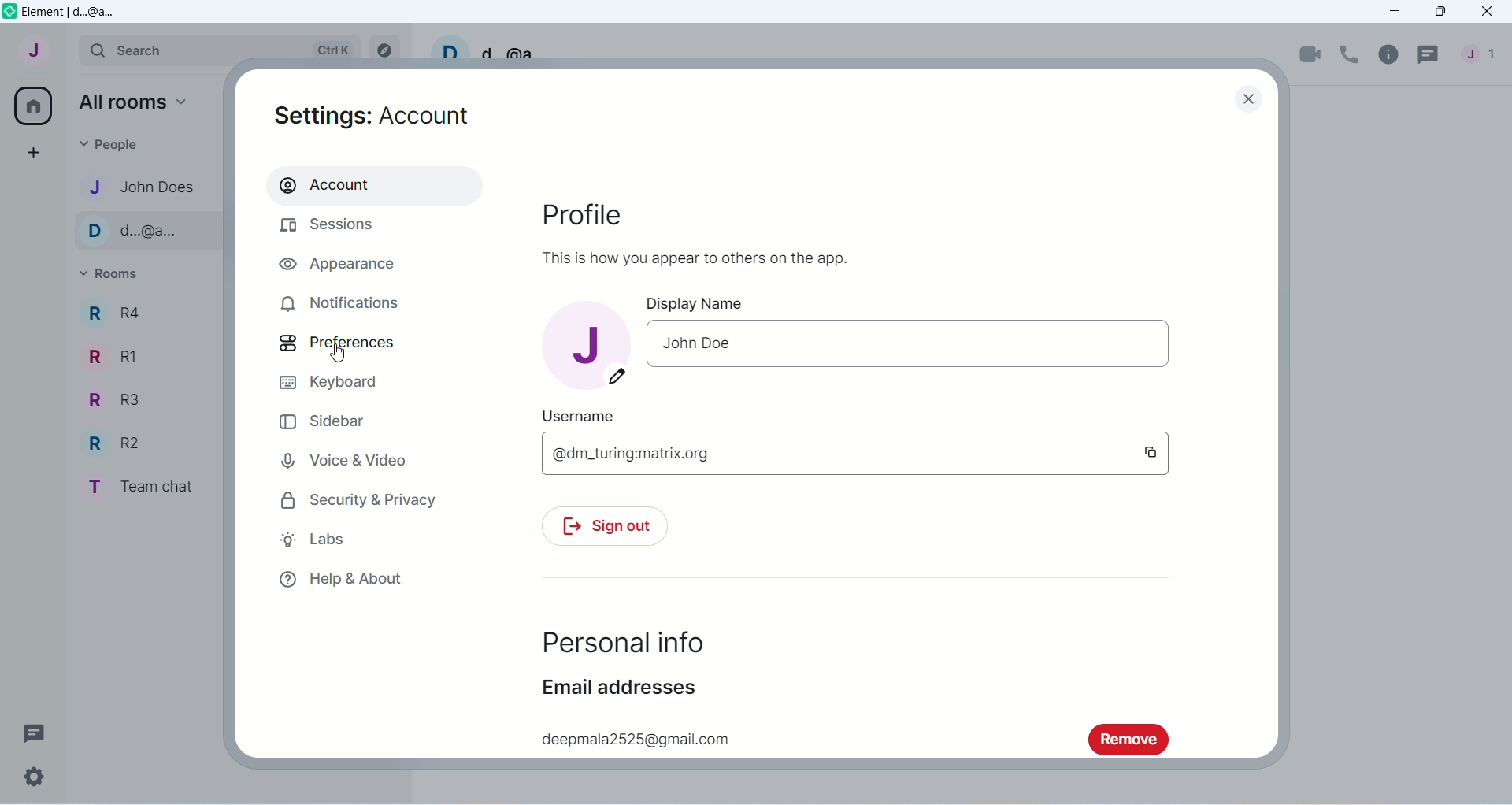 The width and height of the screenshot is (1512, 805). Describe the element at coordinates (145, 187) in the screenshot. I see `Contact name-john does` at that location.